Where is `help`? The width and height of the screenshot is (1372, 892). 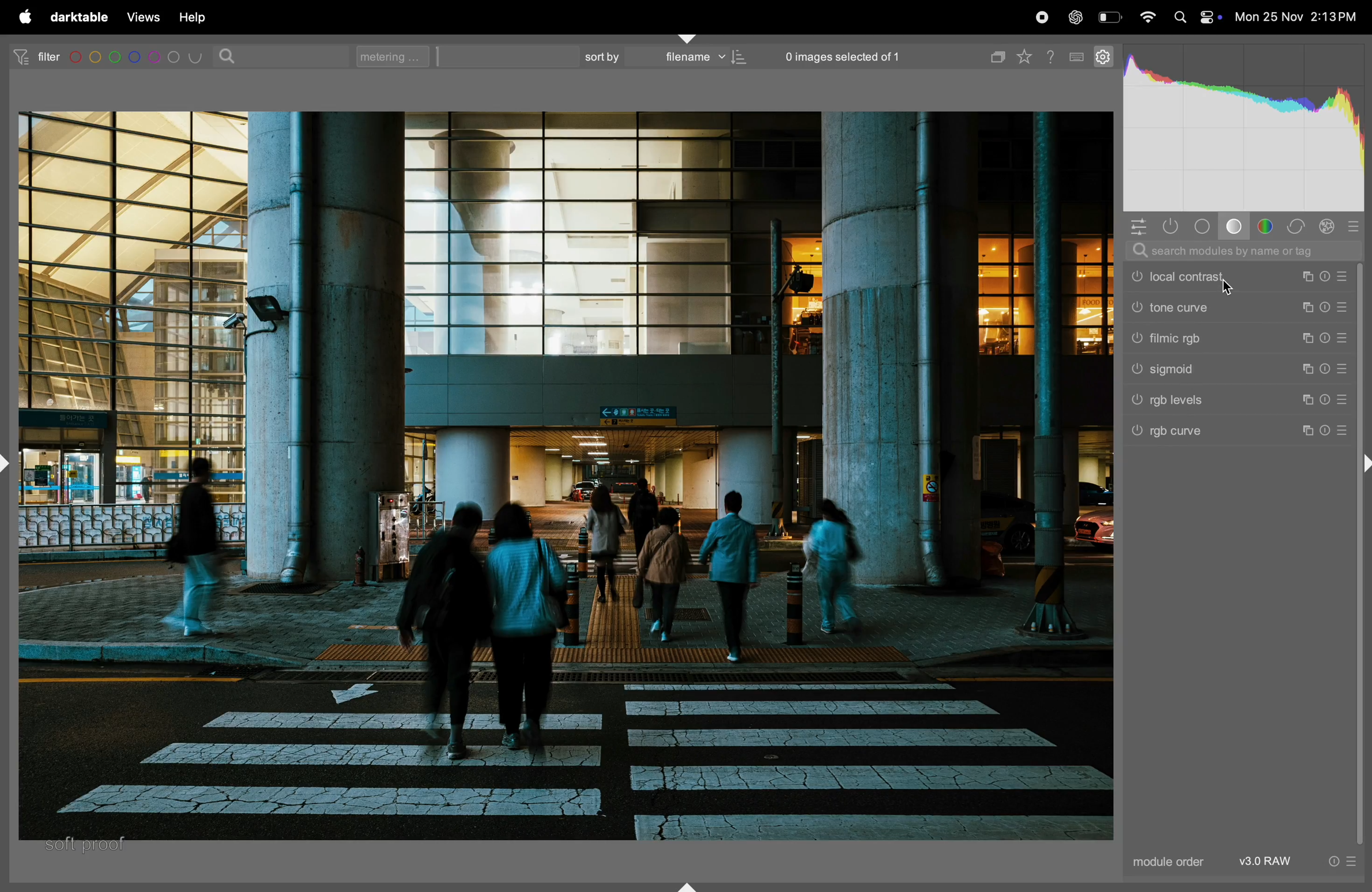
help is located at coordinates (1053, 55).